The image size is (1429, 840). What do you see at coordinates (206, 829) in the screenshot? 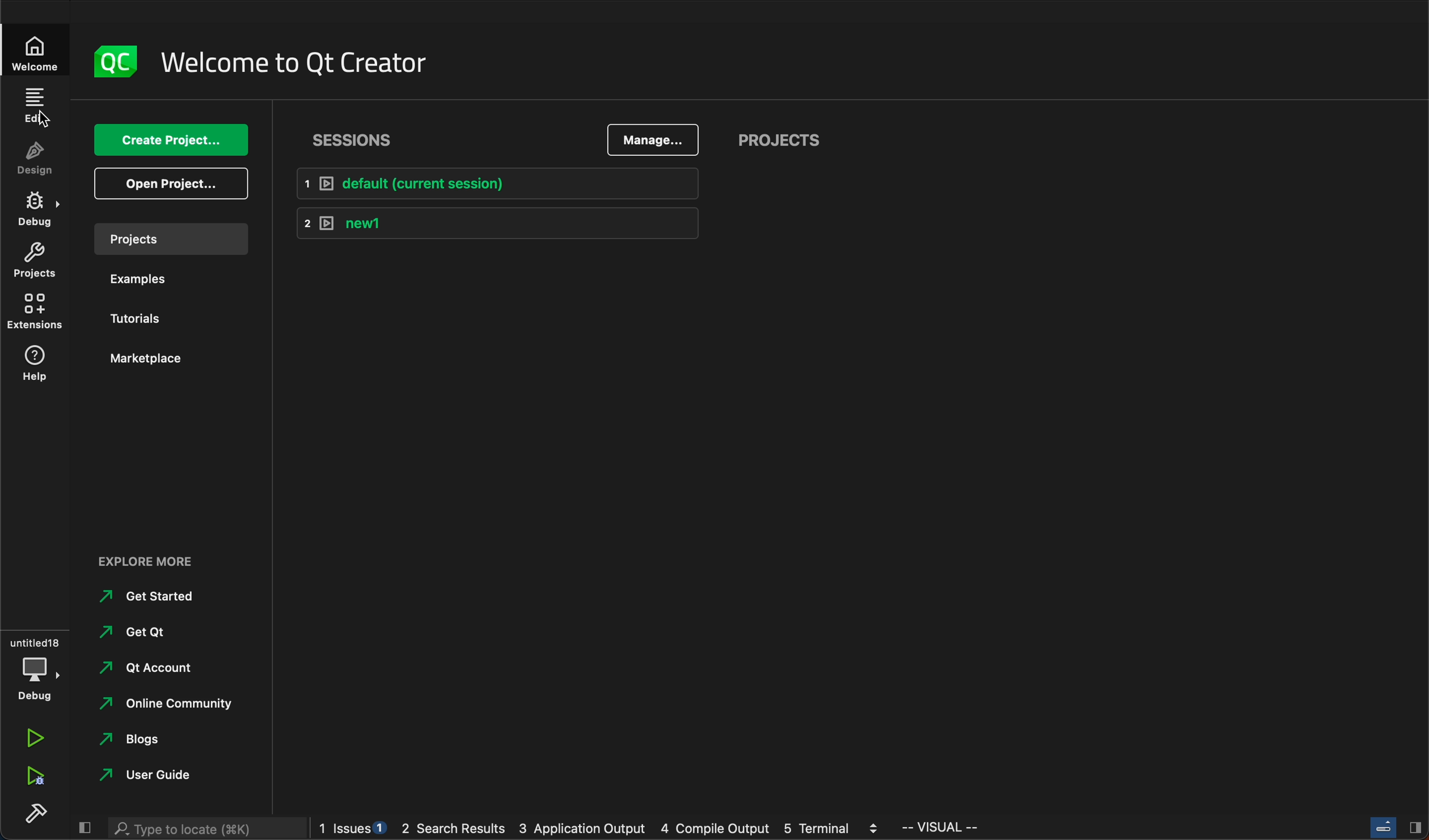
I see `search bar` at bounding box center [206, 829].